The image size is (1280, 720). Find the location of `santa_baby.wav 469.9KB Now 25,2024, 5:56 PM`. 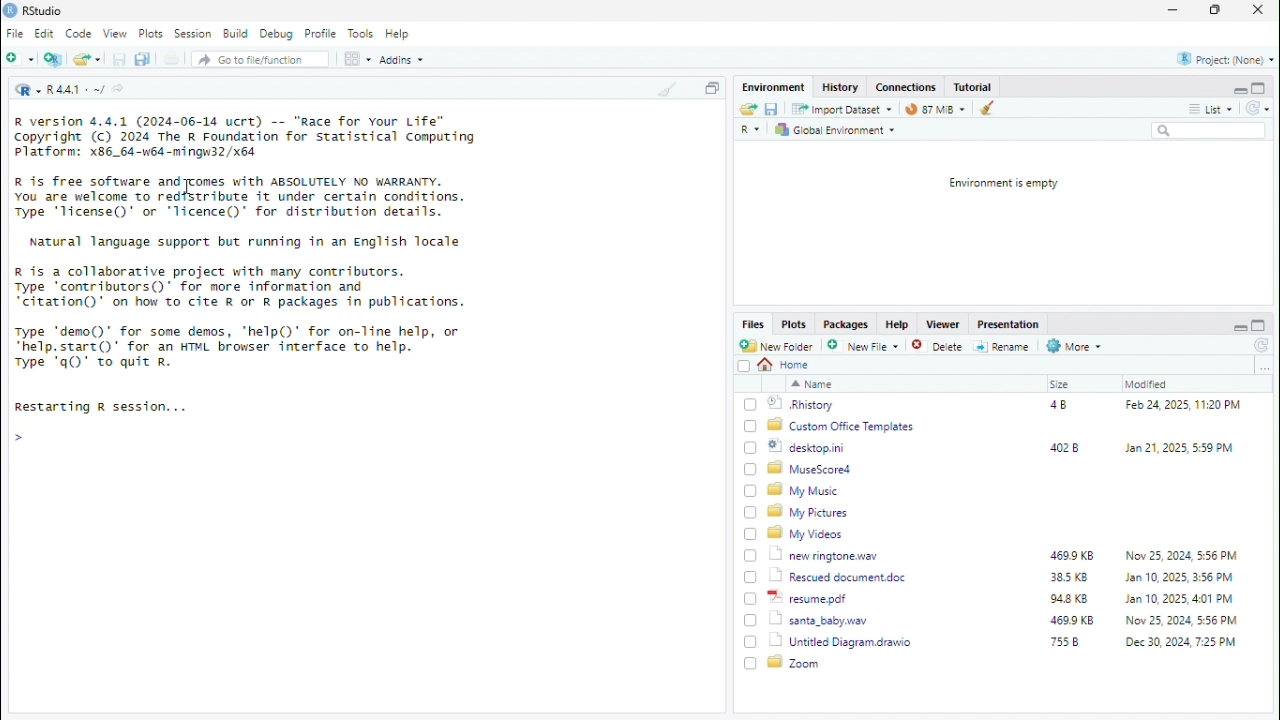

santa_baby.wav 469.9KB Now 25,2024, 5:56 PM is located at coordinates (1008, 619).